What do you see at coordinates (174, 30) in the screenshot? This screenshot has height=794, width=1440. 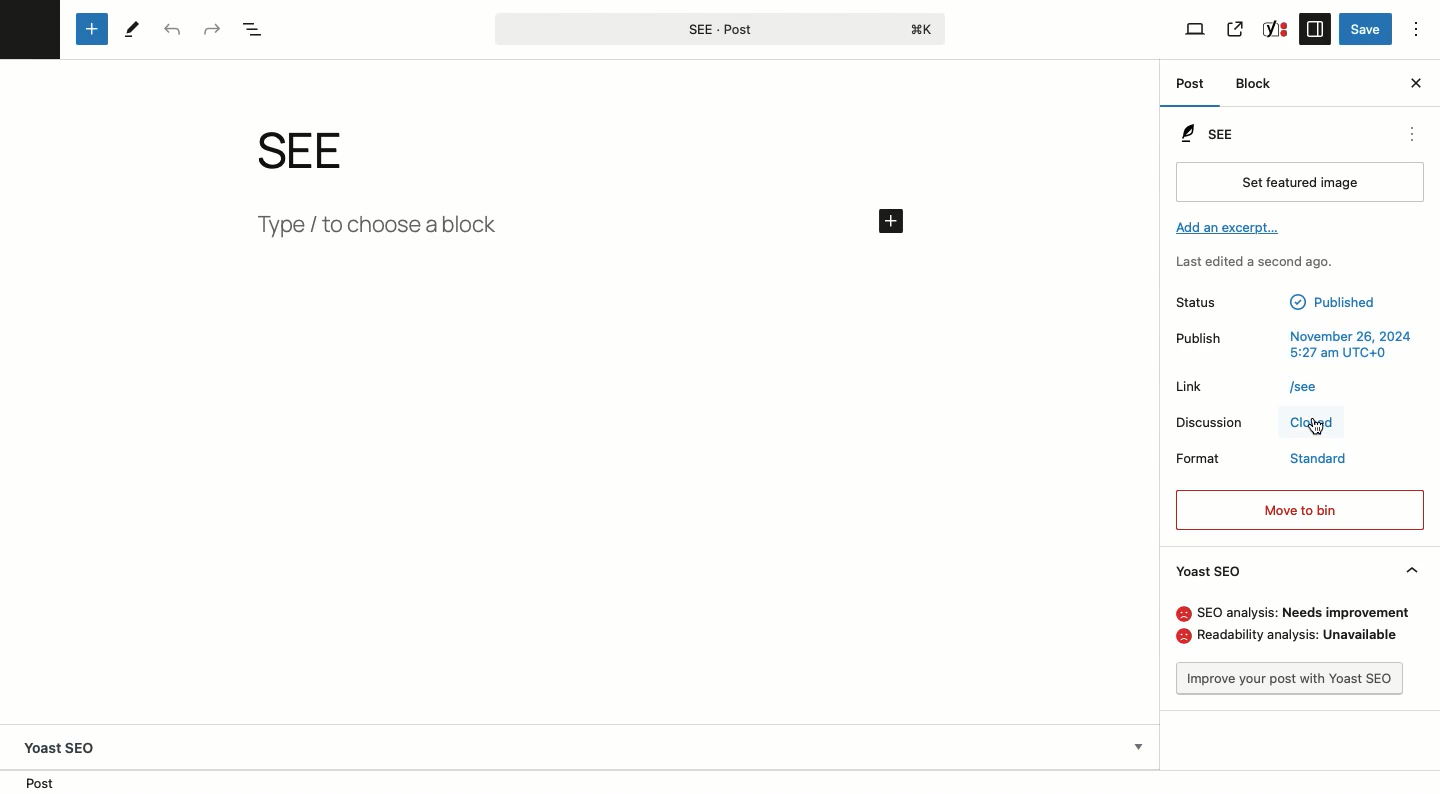 I see `Undo` at bounding box center [174, 30].